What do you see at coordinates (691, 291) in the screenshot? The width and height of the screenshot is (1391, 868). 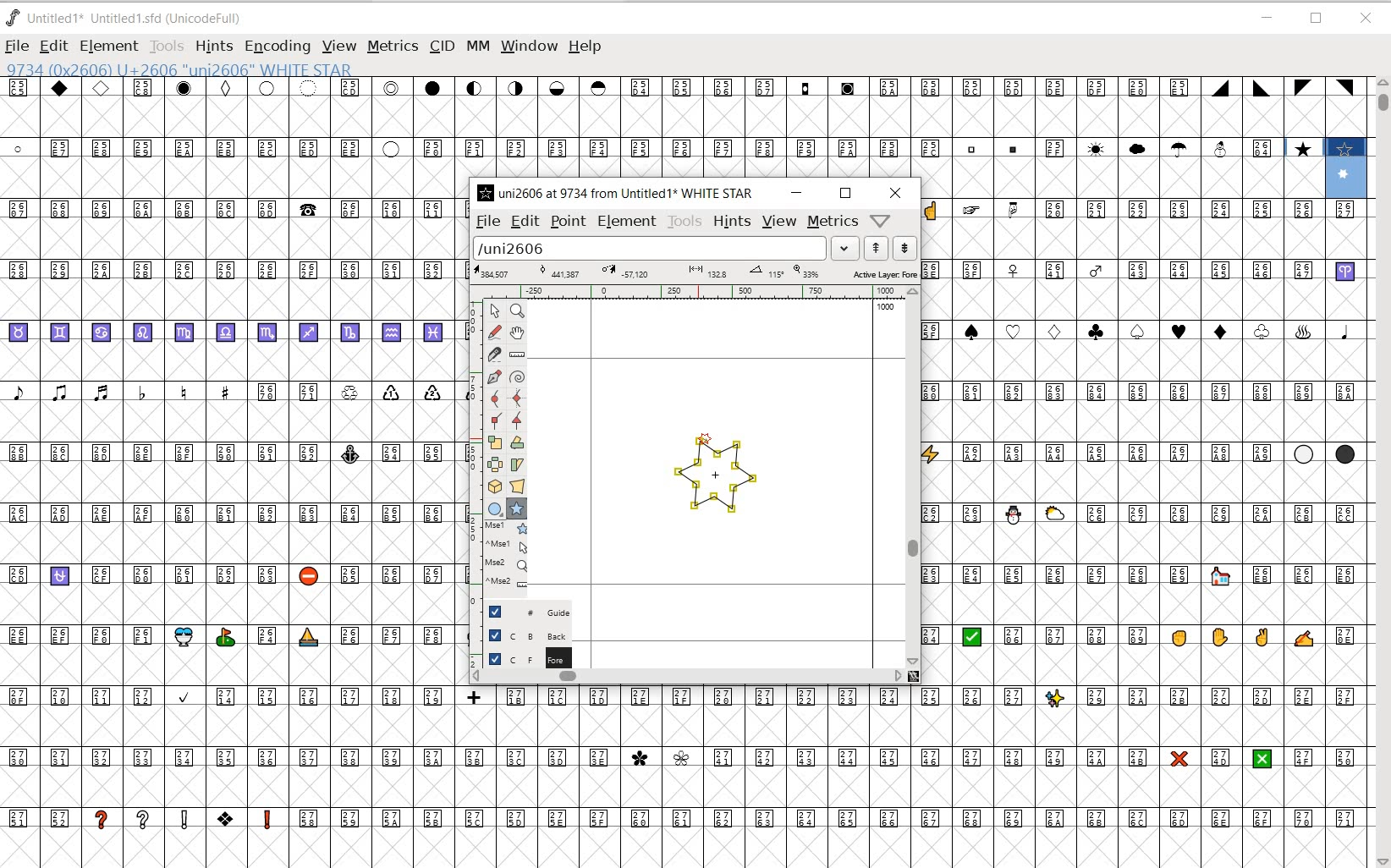 I see `RULER` at bounding box center [691, 291].